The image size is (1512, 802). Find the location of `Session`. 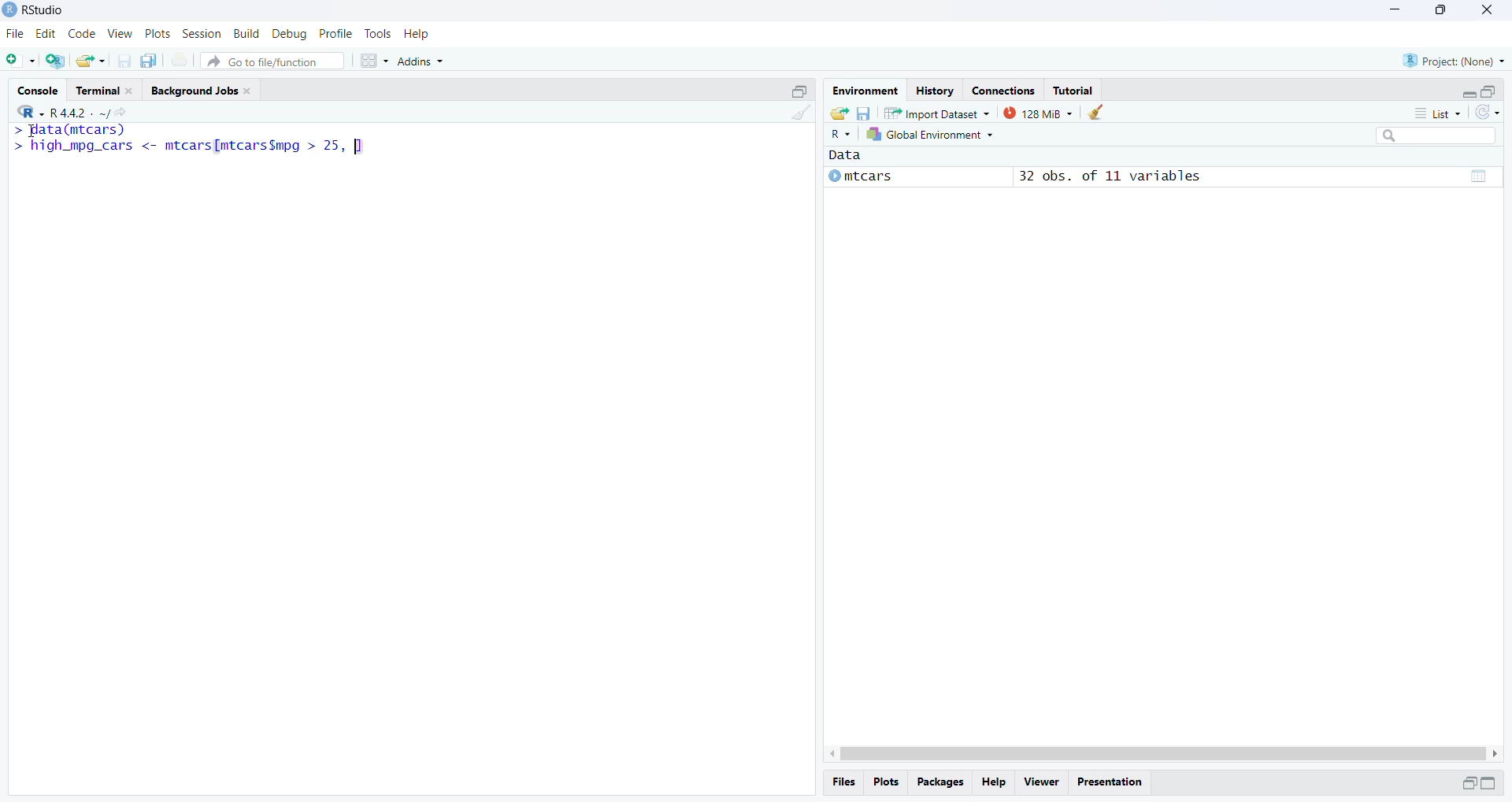

Session is located at coordinates (202, 33).